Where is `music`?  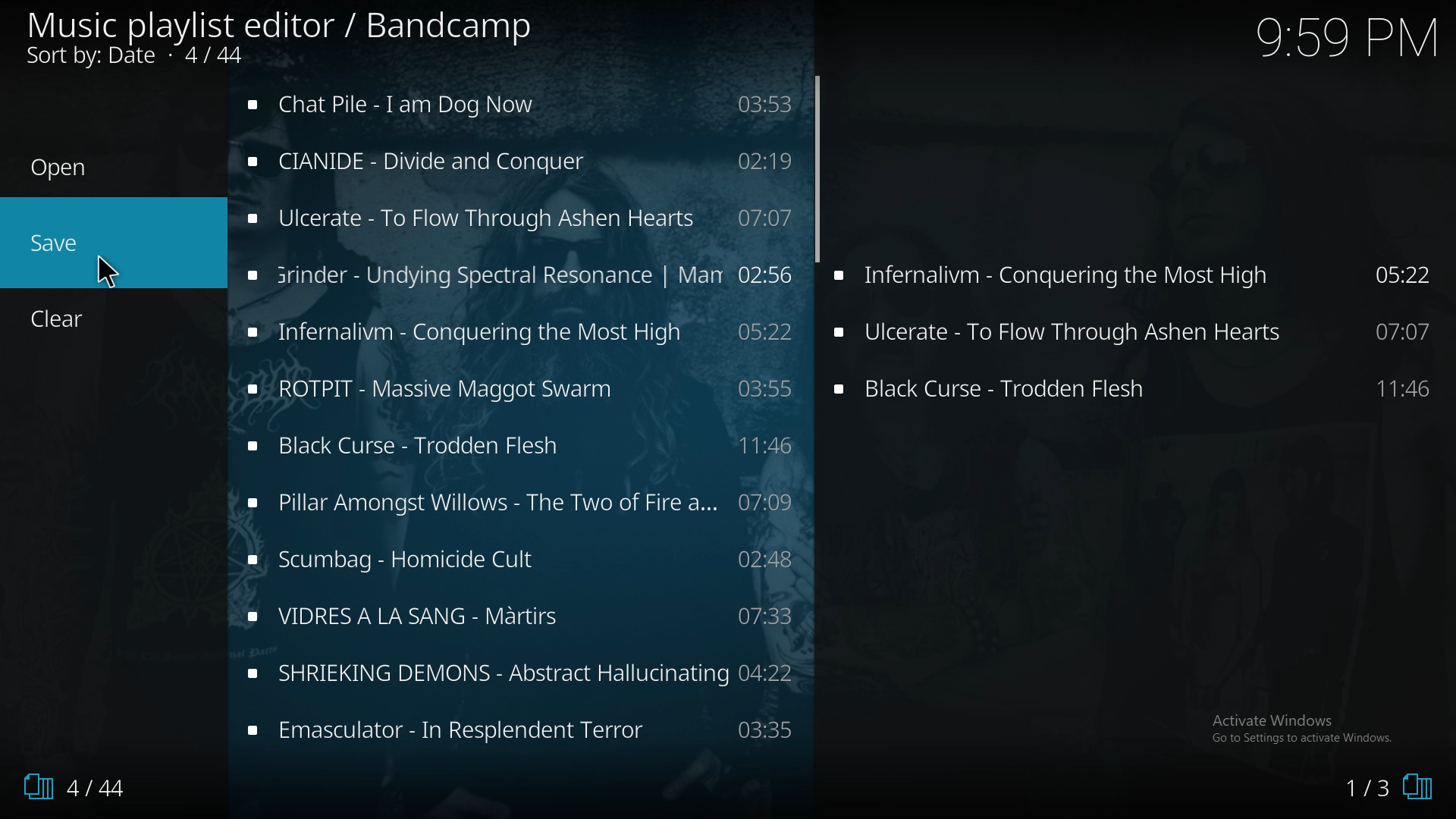 music is located at coordinates (521, 218).